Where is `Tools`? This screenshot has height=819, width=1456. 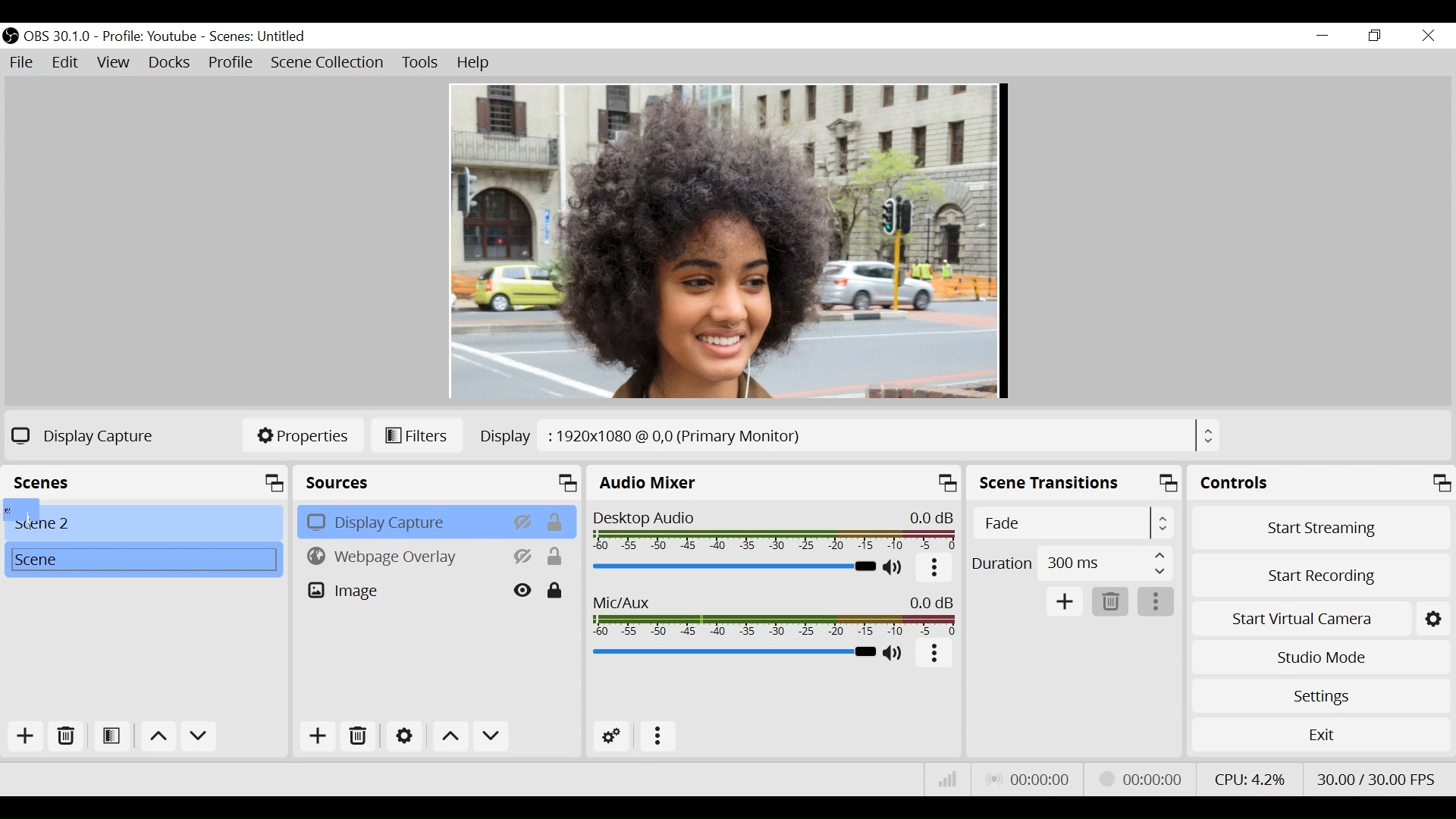 Tools is located at coordinates (422, 63).